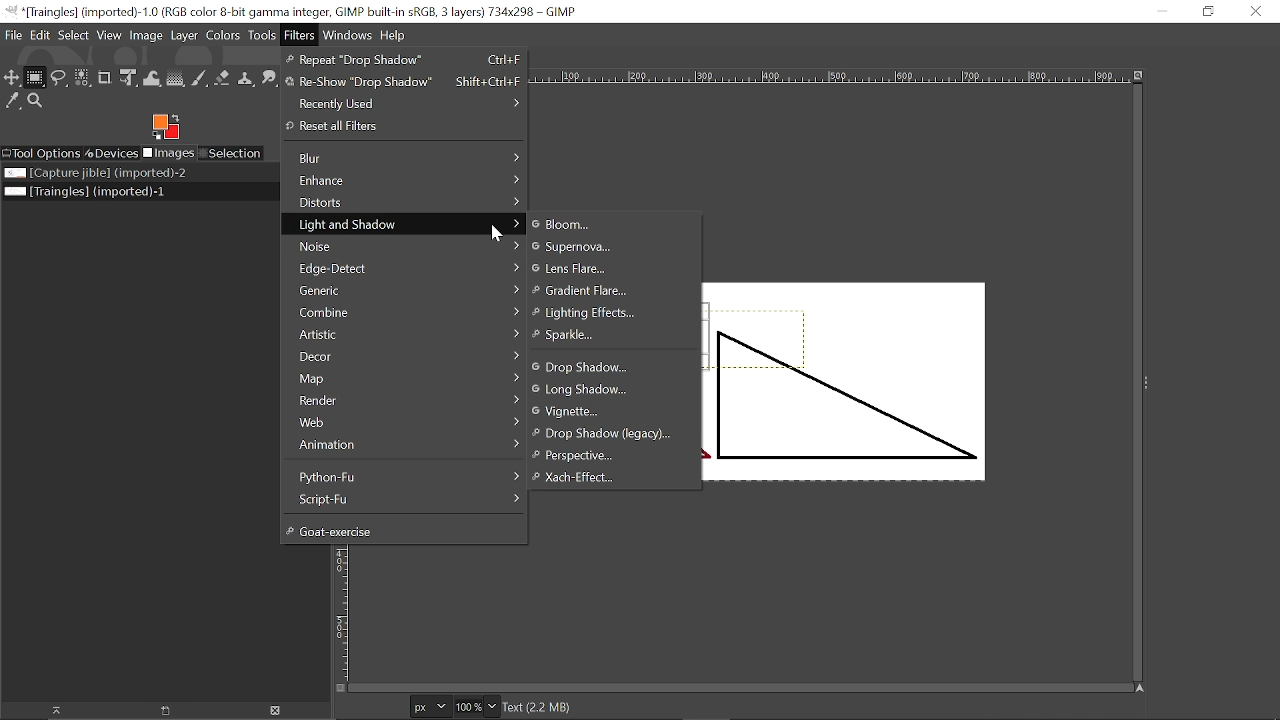 The image size is (1280, 720). I want to click on Gradient tool, so click(176, 79).